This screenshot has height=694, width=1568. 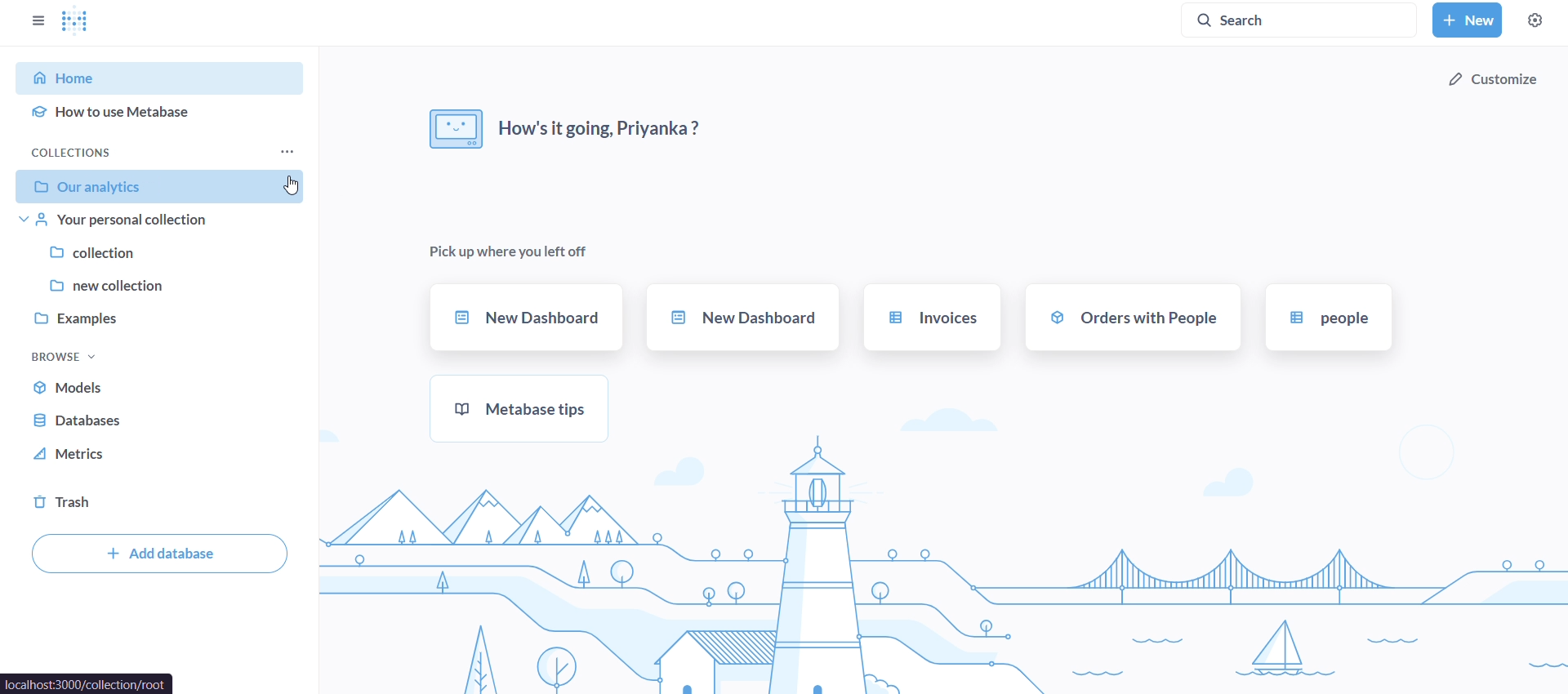 What do you see at coordinates (162, 78) in the screenshot?
I see `home` at bounding box center [162, 78].